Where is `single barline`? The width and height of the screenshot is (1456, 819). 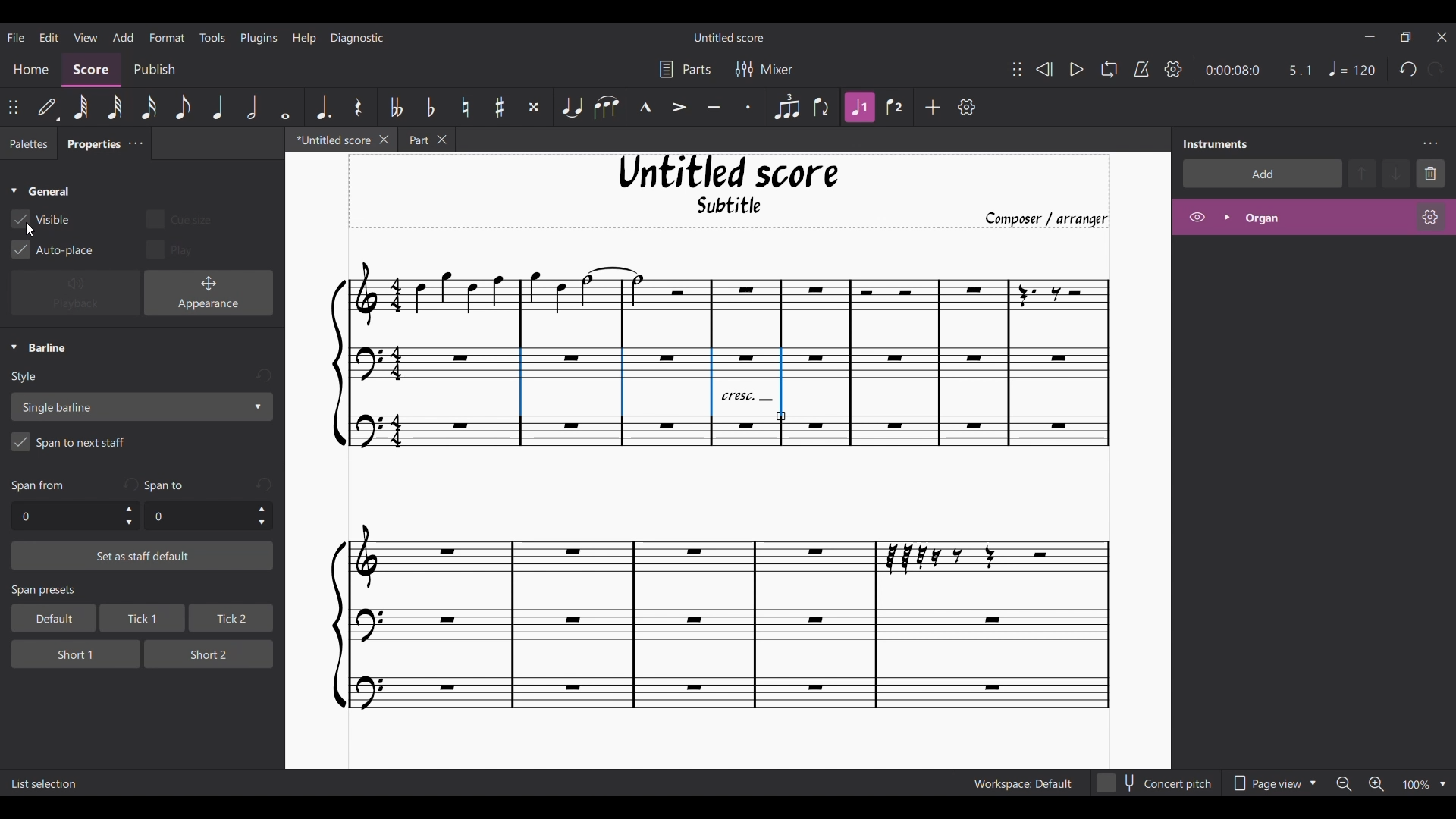
single barline is located at coordinates (141, 406).